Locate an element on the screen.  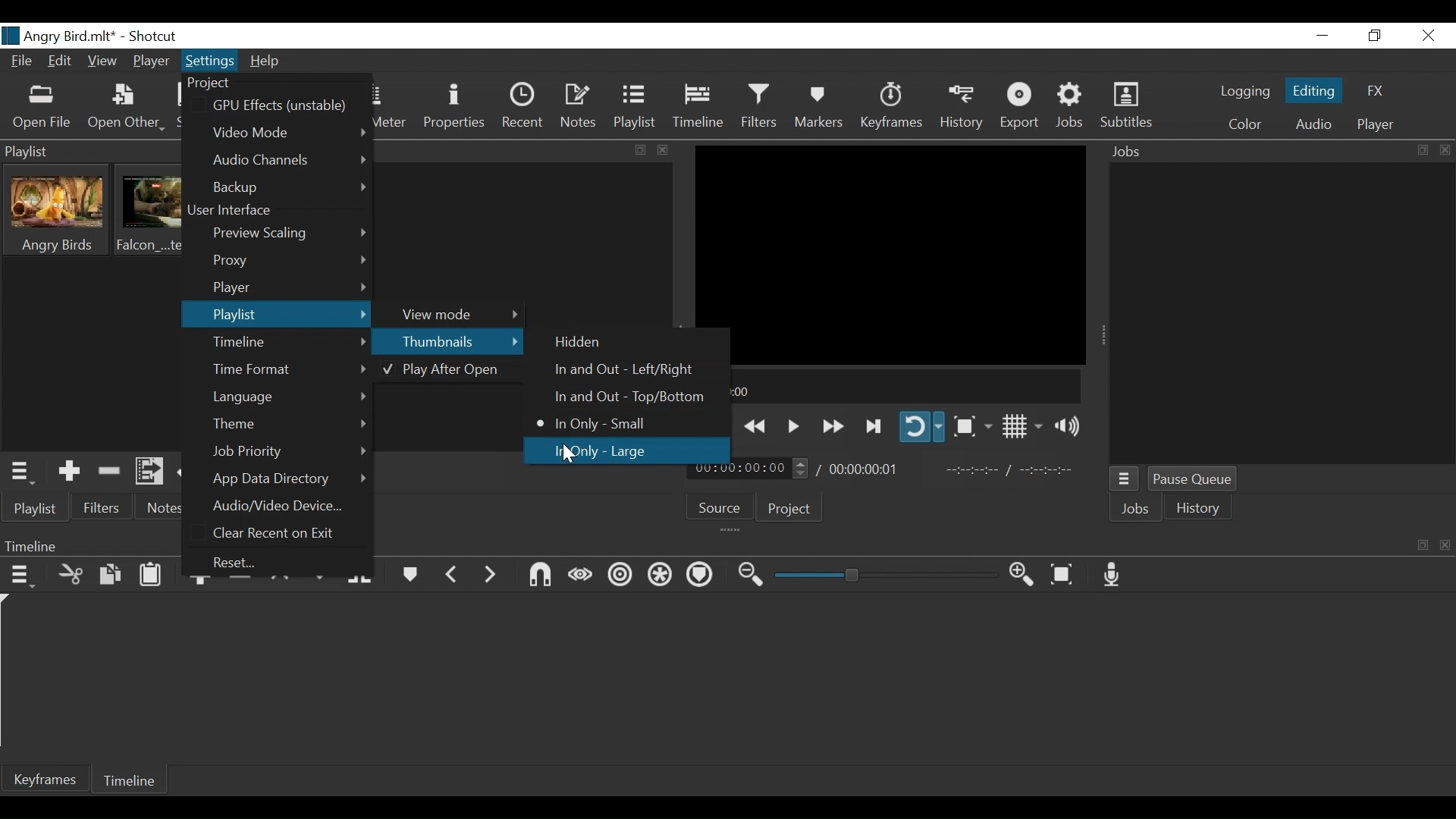
File is located at coordinates (22, 61).